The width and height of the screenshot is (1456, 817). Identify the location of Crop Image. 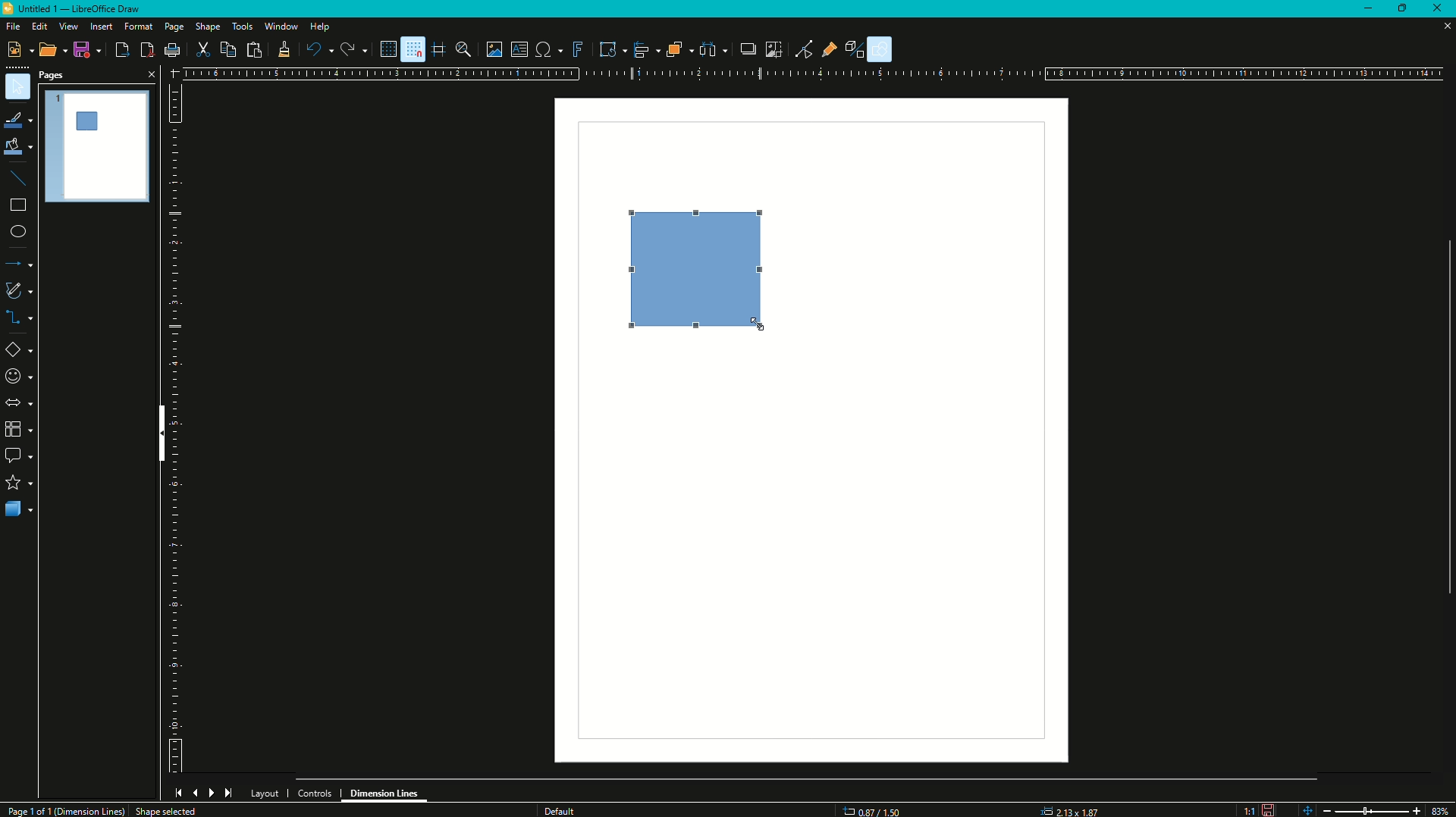
(770, 48).